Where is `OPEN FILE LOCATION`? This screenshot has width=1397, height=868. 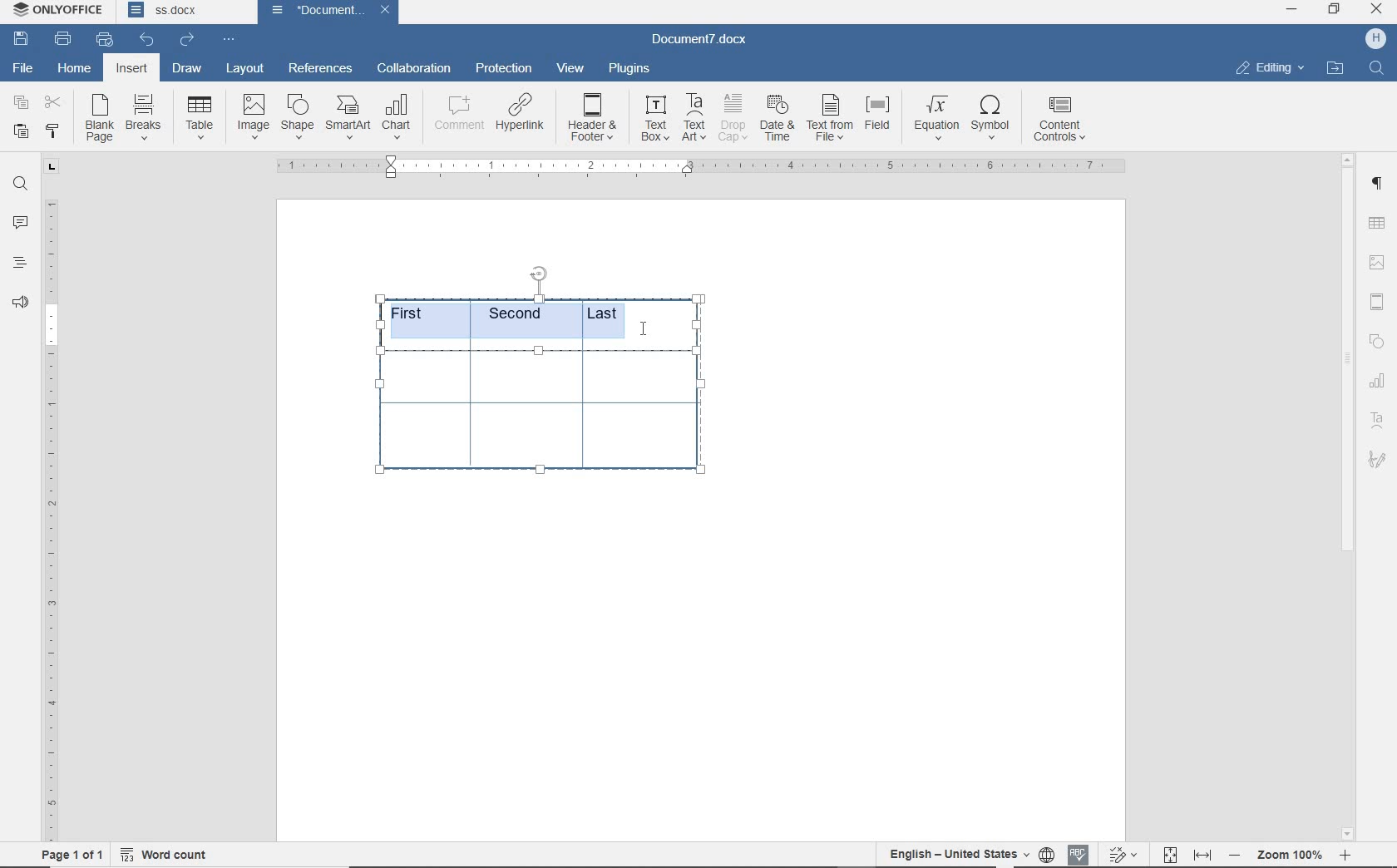
OPEN FILE LOCATION is located at coordinates (1336, 68).